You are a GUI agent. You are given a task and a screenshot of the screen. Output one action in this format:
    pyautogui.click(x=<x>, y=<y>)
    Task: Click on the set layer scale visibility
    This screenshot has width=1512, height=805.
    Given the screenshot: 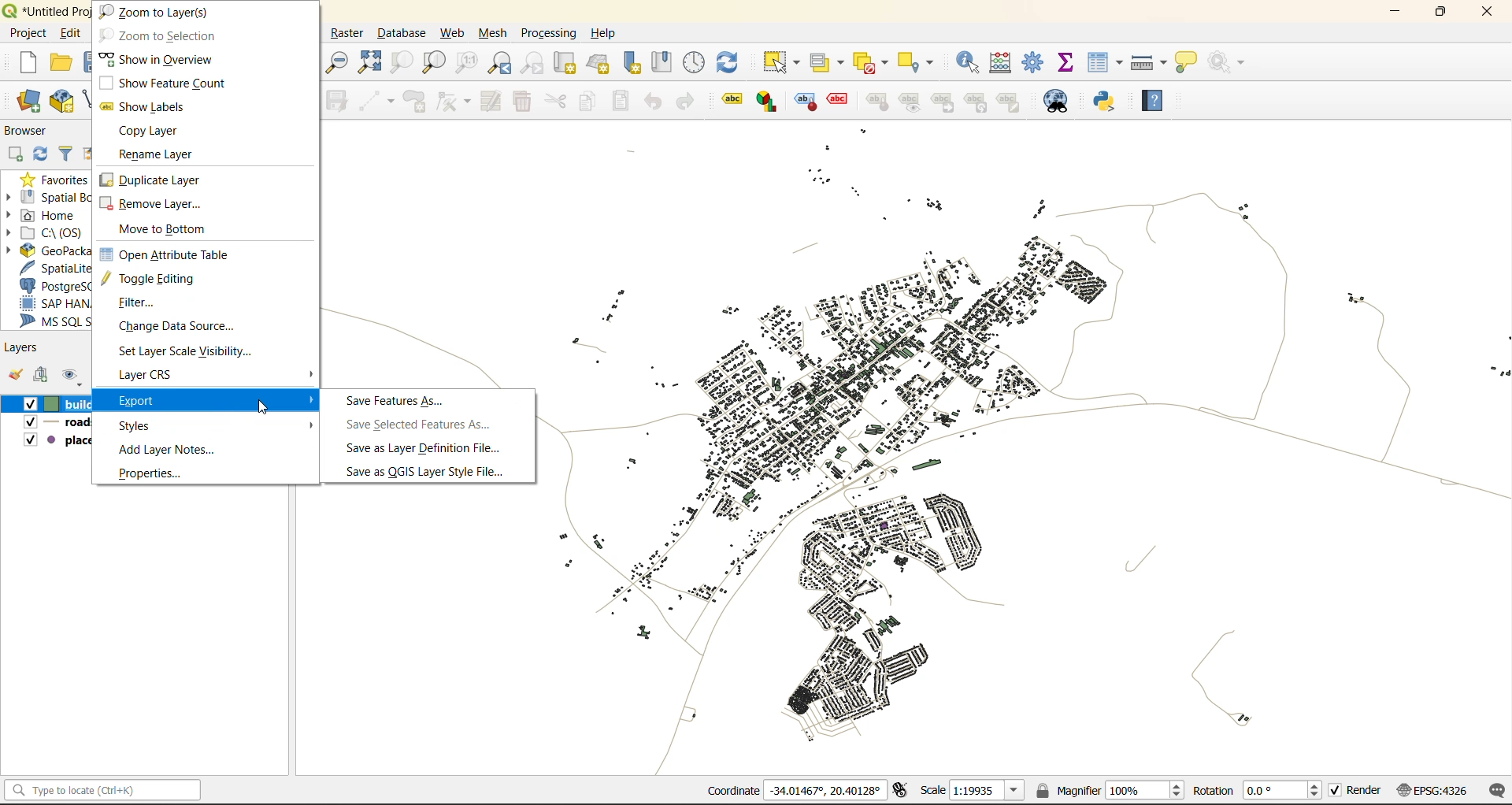 What is the action you would take?
    pyautogui.click(x=185, y=351)
    